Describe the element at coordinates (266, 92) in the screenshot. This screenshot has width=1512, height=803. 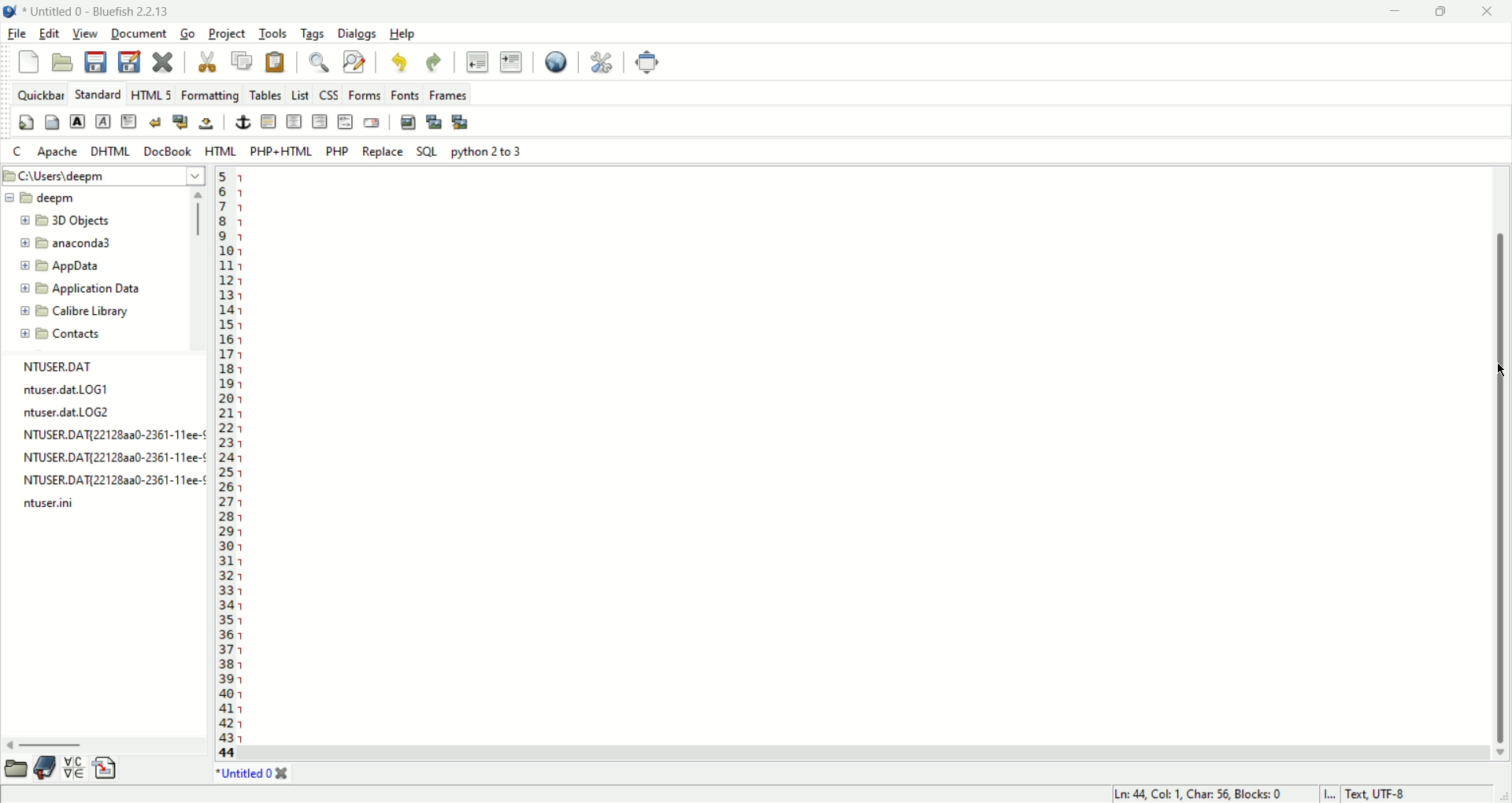
I see `Tables` at that location.